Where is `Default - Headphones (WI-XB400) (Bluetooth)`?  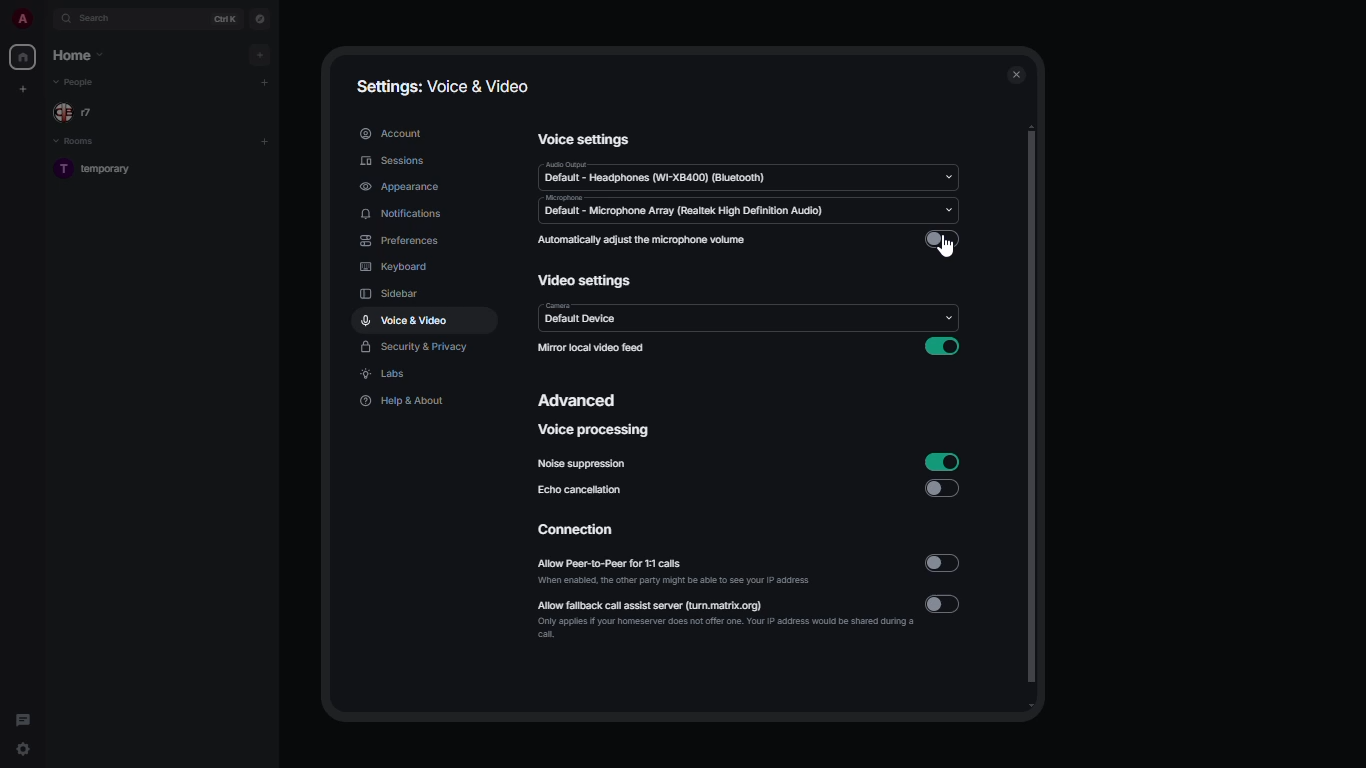
Default - Headphones (WI-XB400) (Bluetooth) is located at coordinates (663, 176).